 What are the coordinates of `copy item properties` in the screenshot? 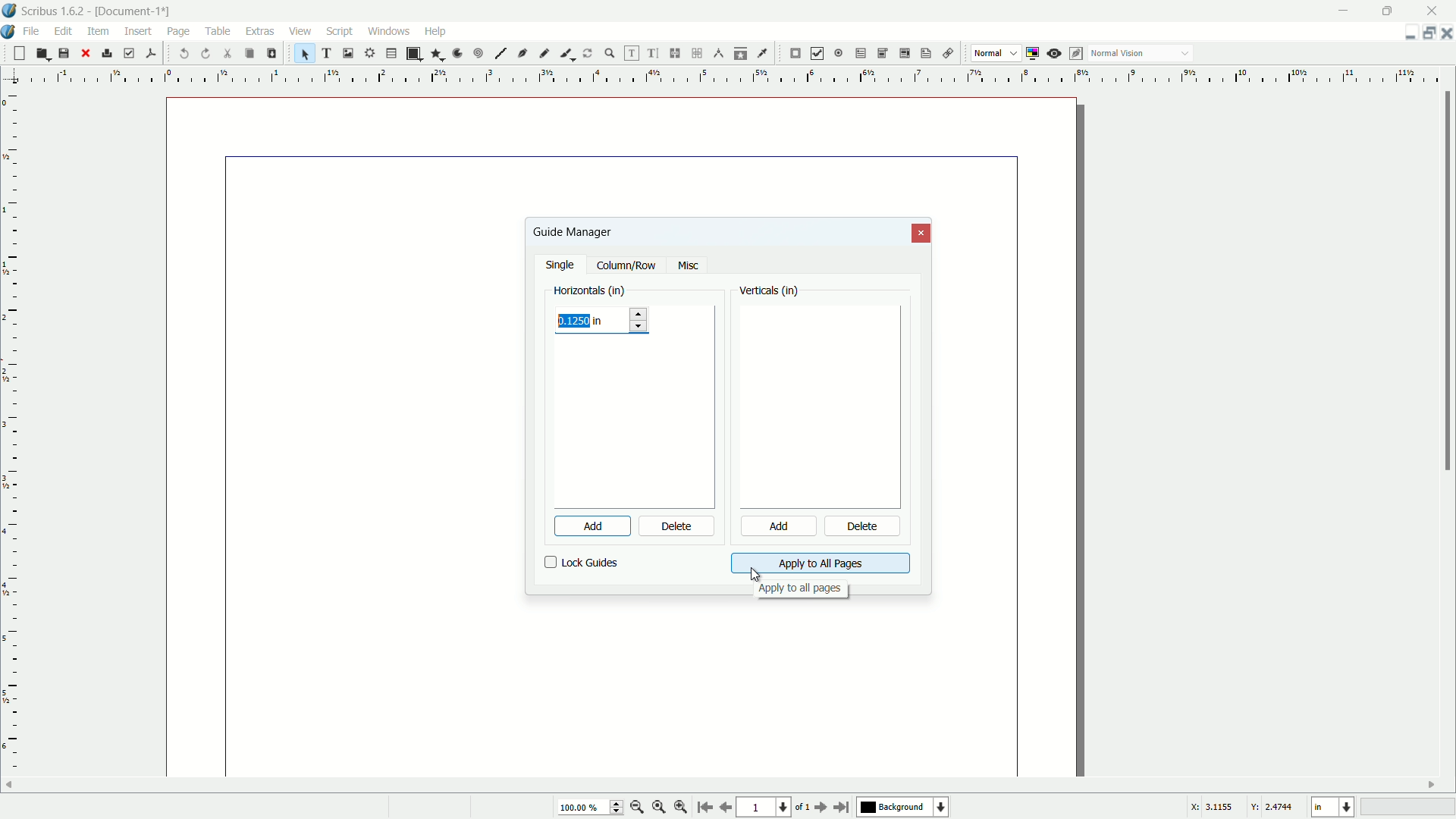 It's located at (741, 53).